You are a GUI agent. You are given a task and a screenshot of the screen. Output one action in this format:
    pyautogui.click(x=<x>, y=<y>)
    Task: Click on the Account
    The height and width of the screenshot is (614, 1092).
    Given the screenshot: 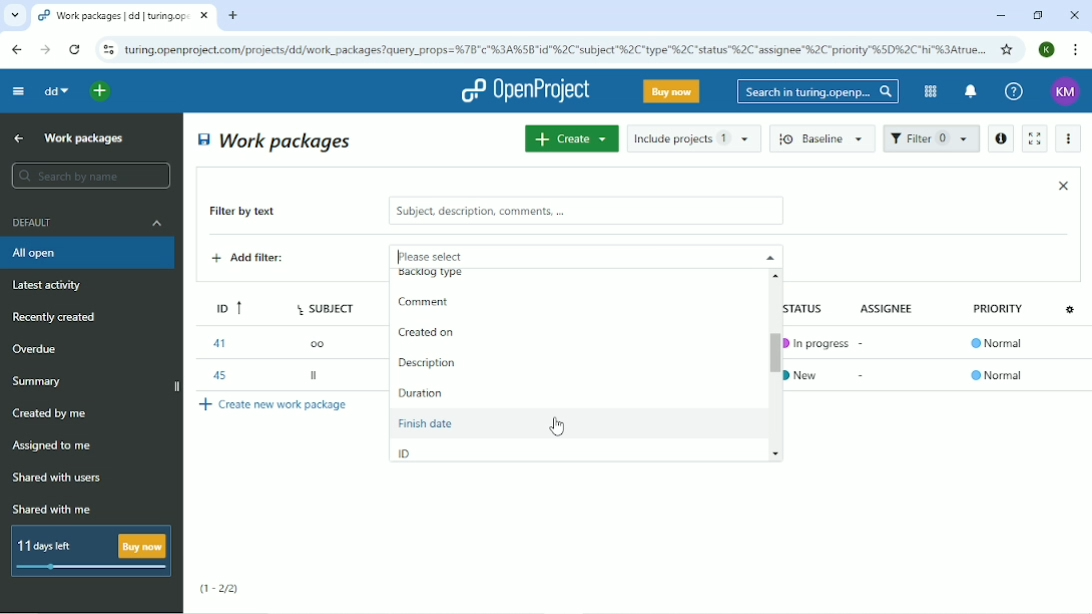 What is the action you would take?
    pyautogui.click(x=1048, y=49)
    